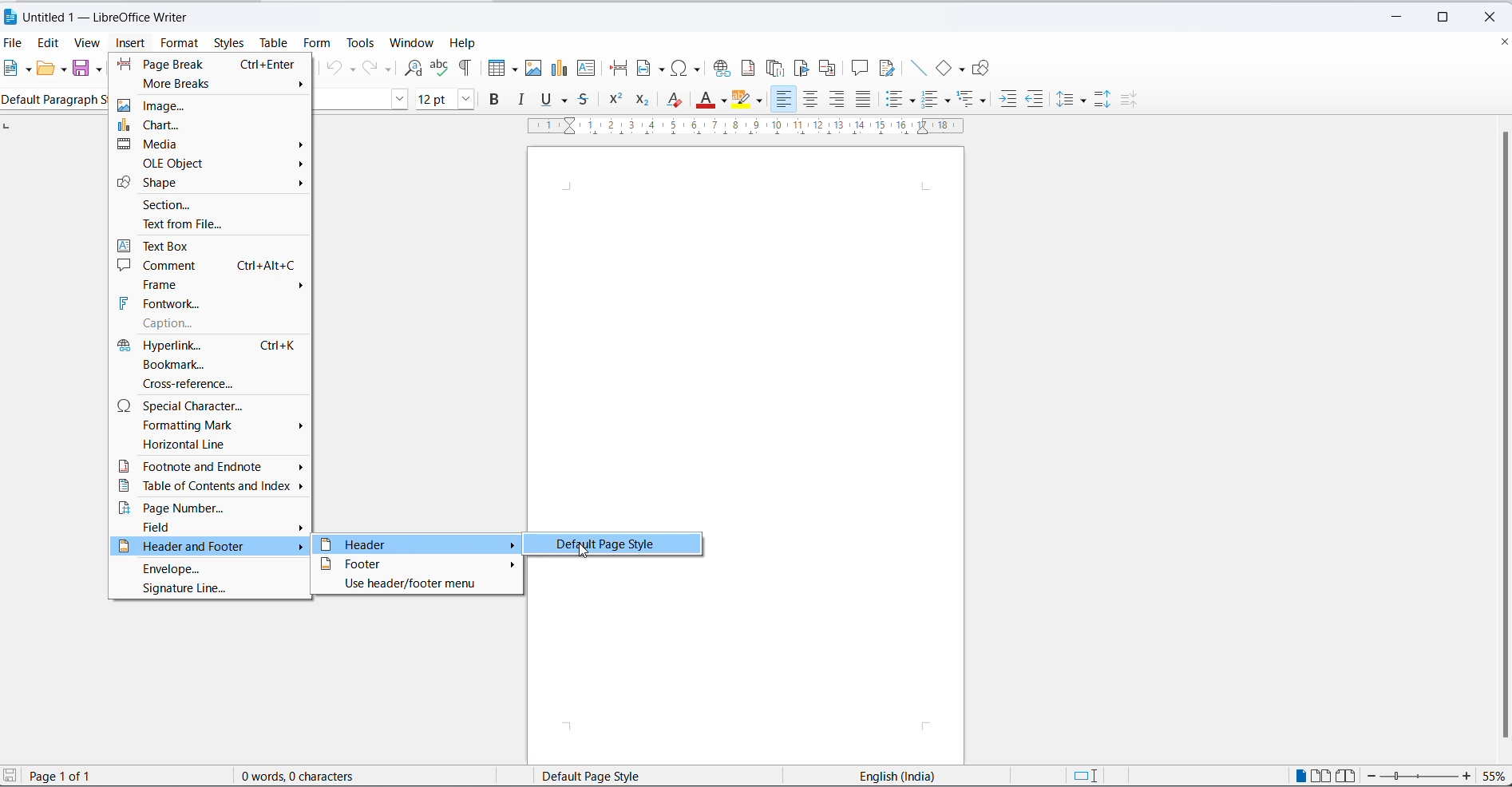  I want to click on increase indent, so click(1008, 100).